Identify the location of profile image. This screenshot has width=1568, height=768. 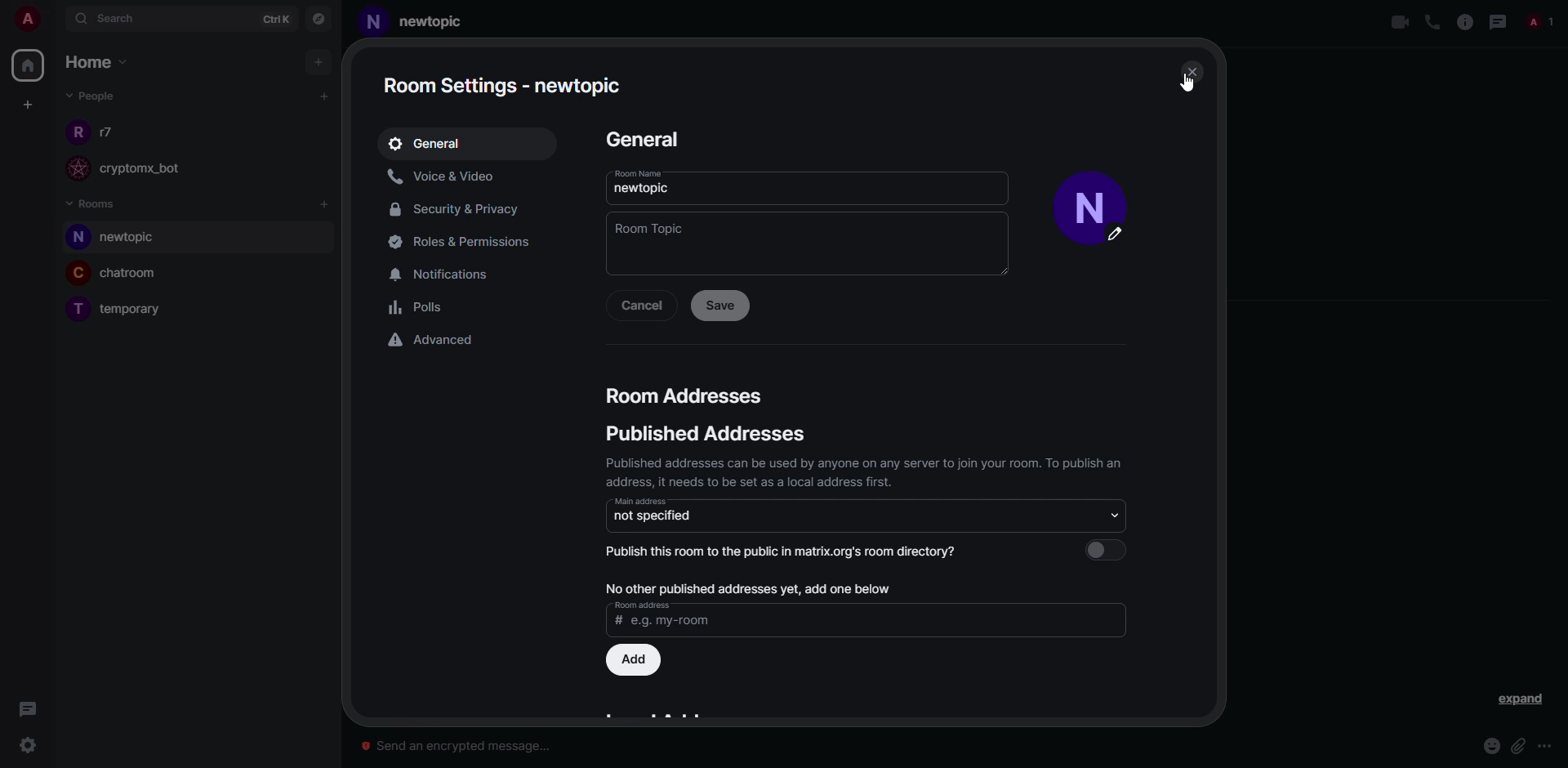
(75, 238).